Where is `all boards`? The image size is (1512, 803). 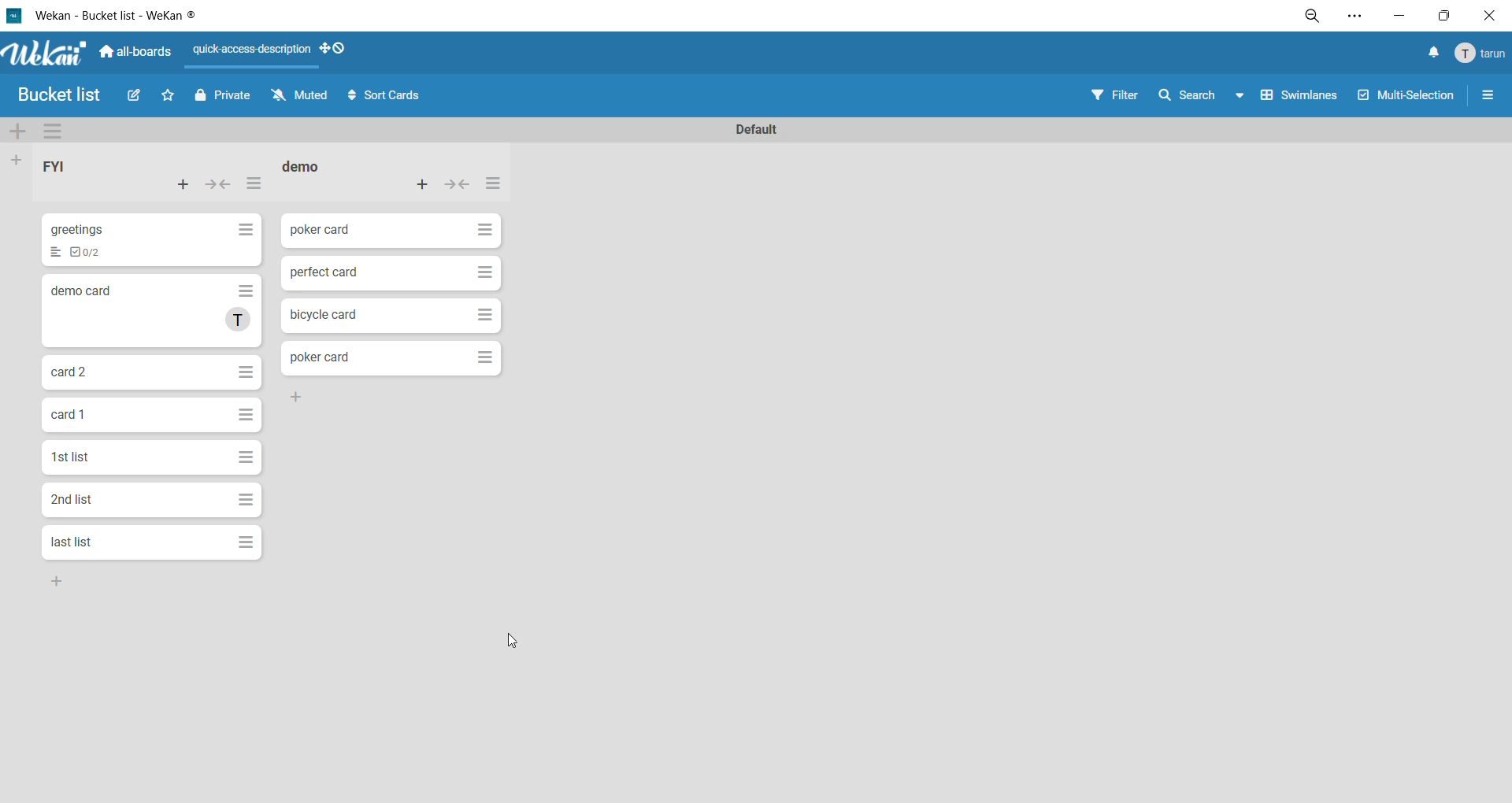 all boards is located at coordinates (136, 50).